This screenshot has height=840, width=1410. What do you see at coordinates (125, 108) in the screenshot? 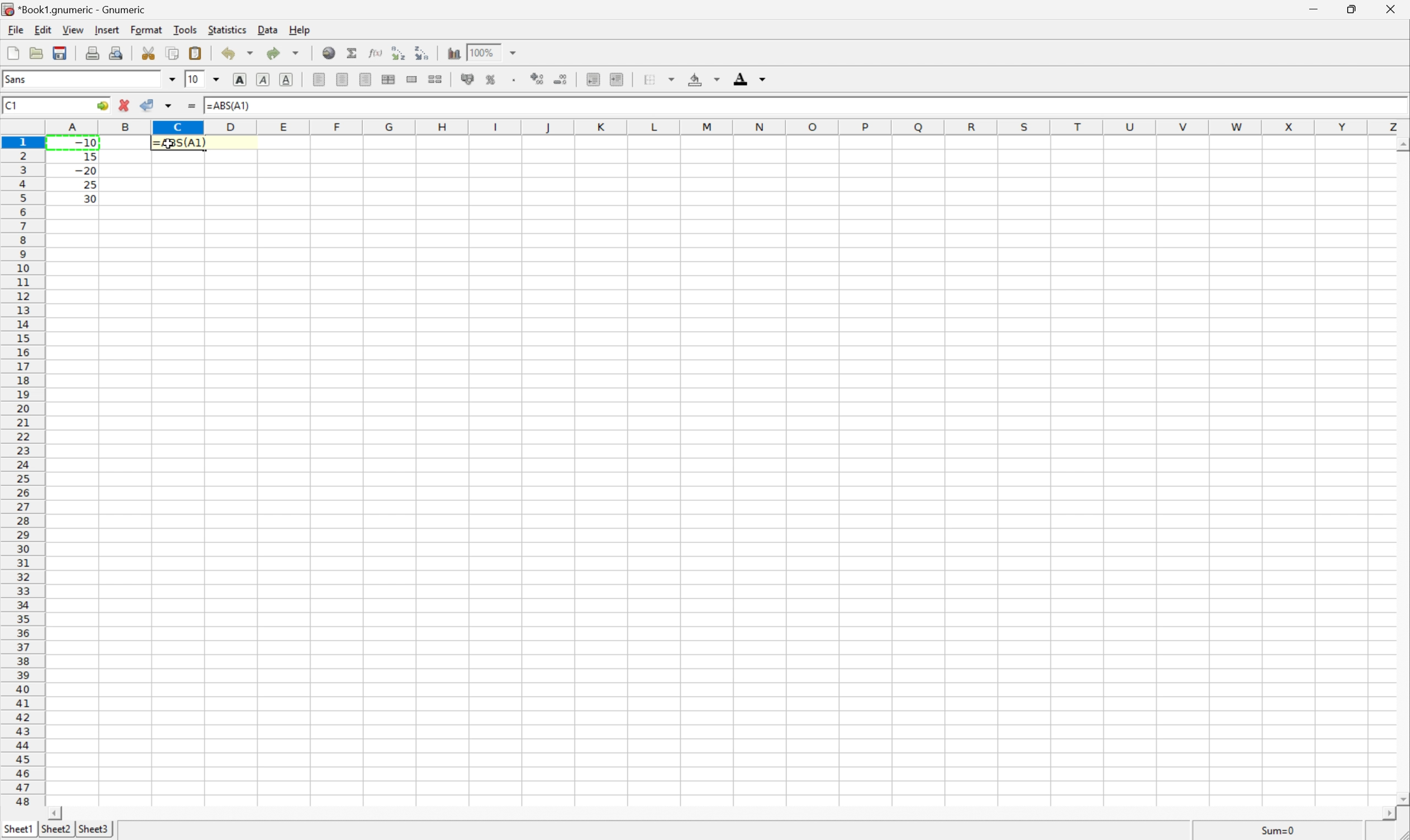
I see `cancel change` at bounding box center [125, 108].